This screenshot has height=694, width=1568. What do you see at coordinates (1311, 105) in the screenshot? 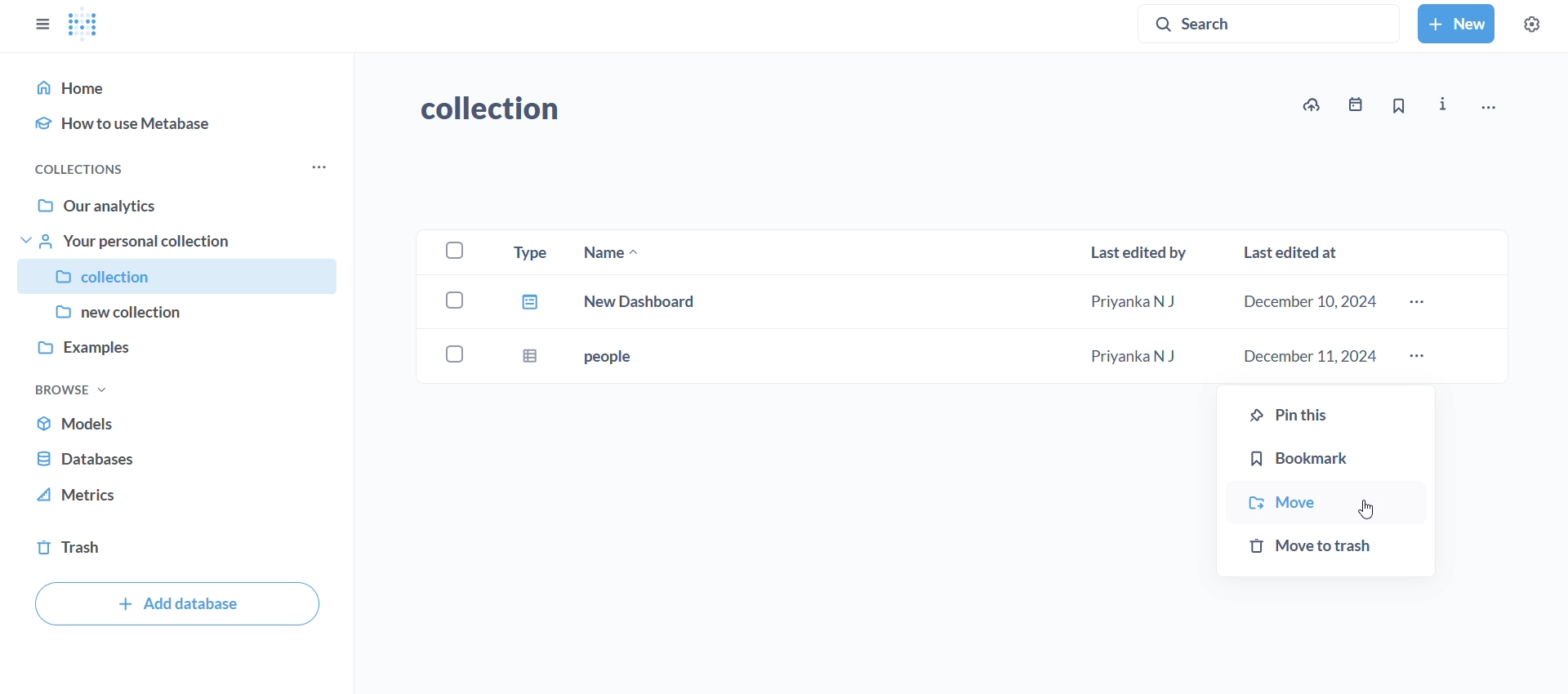
I see `upload vto collection` at bounding box center [1311, 105].